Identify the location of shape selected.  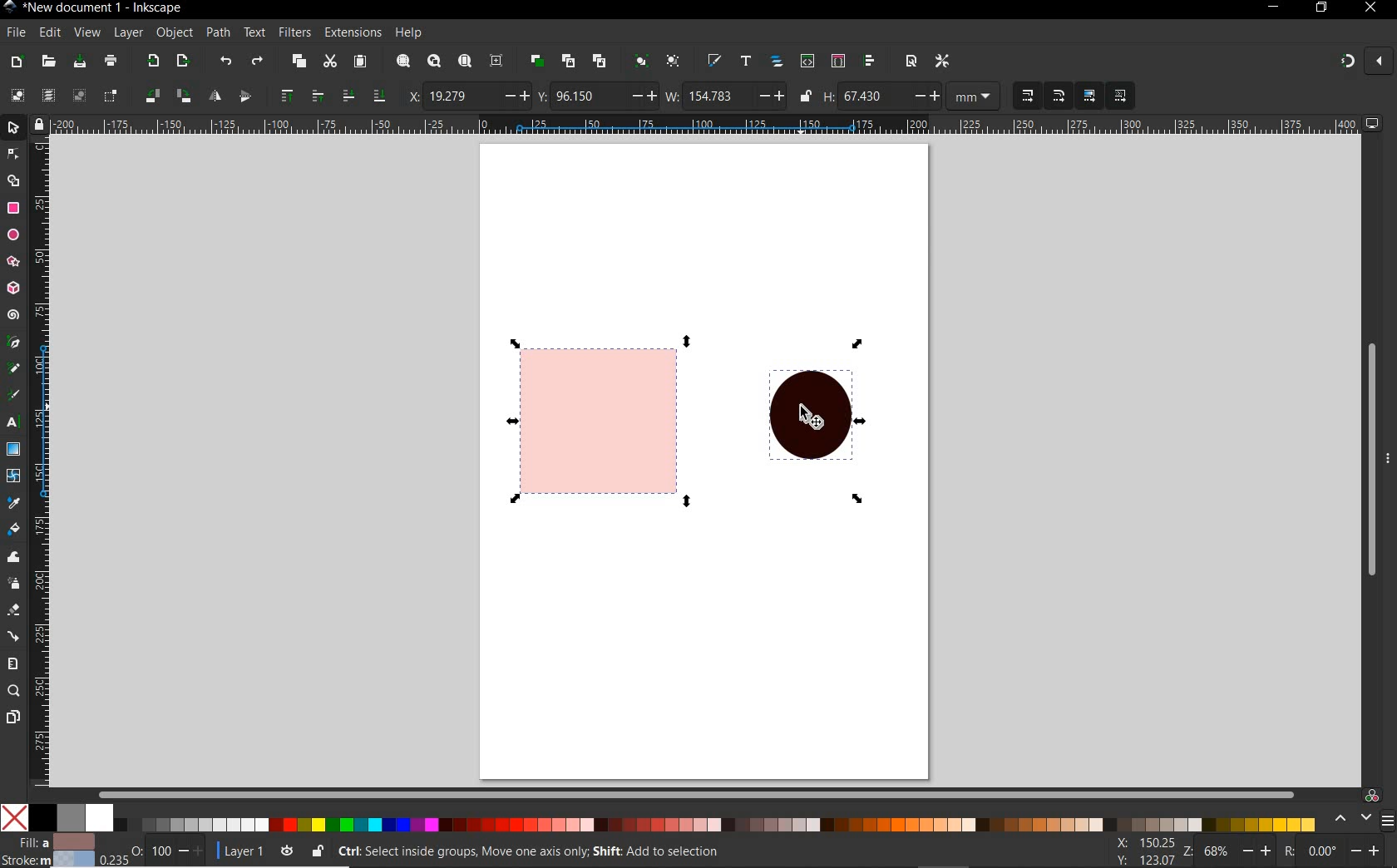
(605, 421).